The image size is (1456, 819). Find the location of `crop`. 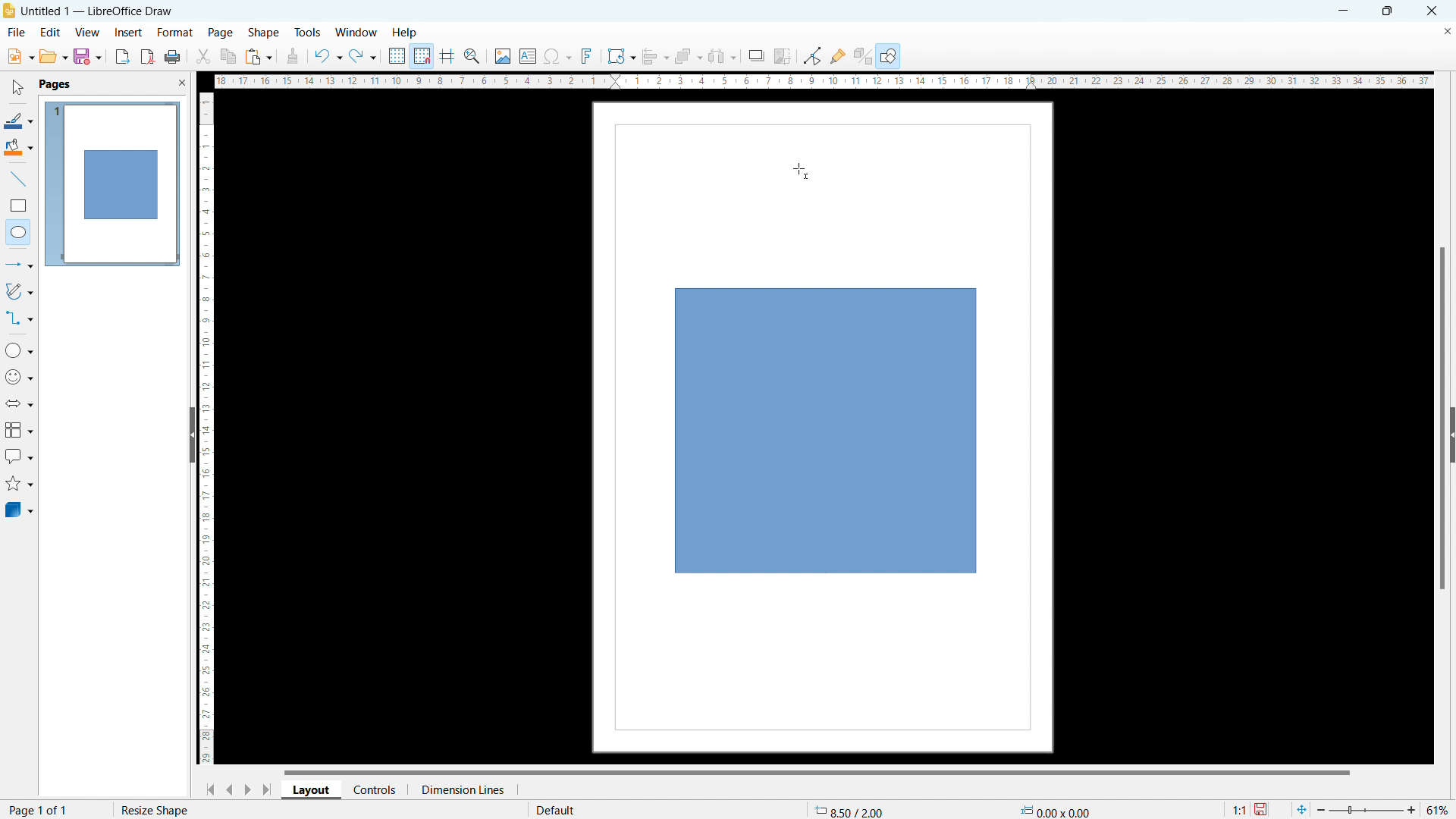

crop is located at coordinates (783, 56).